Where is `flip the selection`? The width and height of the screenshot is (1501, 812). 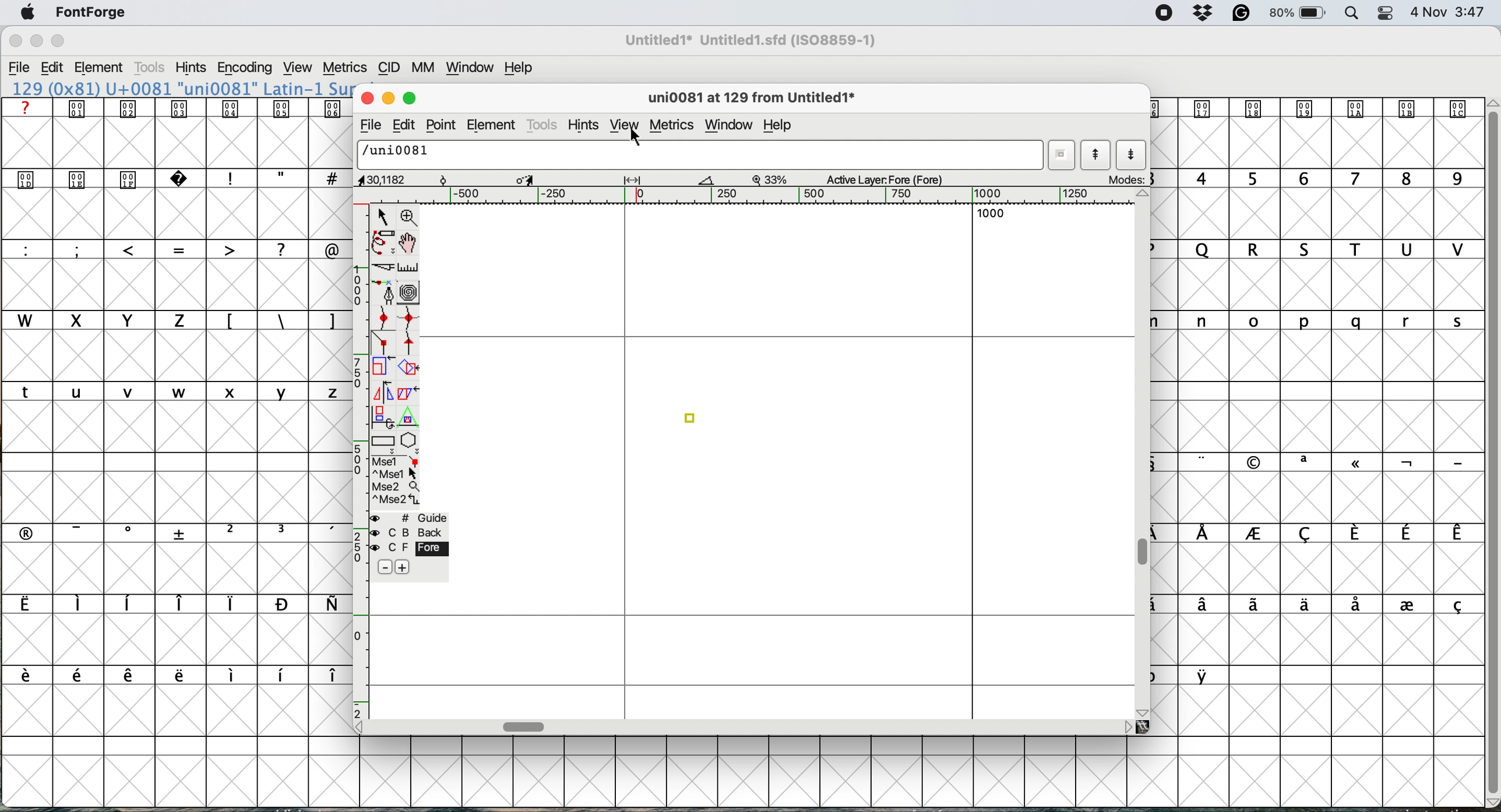
flip the selection is located at coordinates (383, 391).